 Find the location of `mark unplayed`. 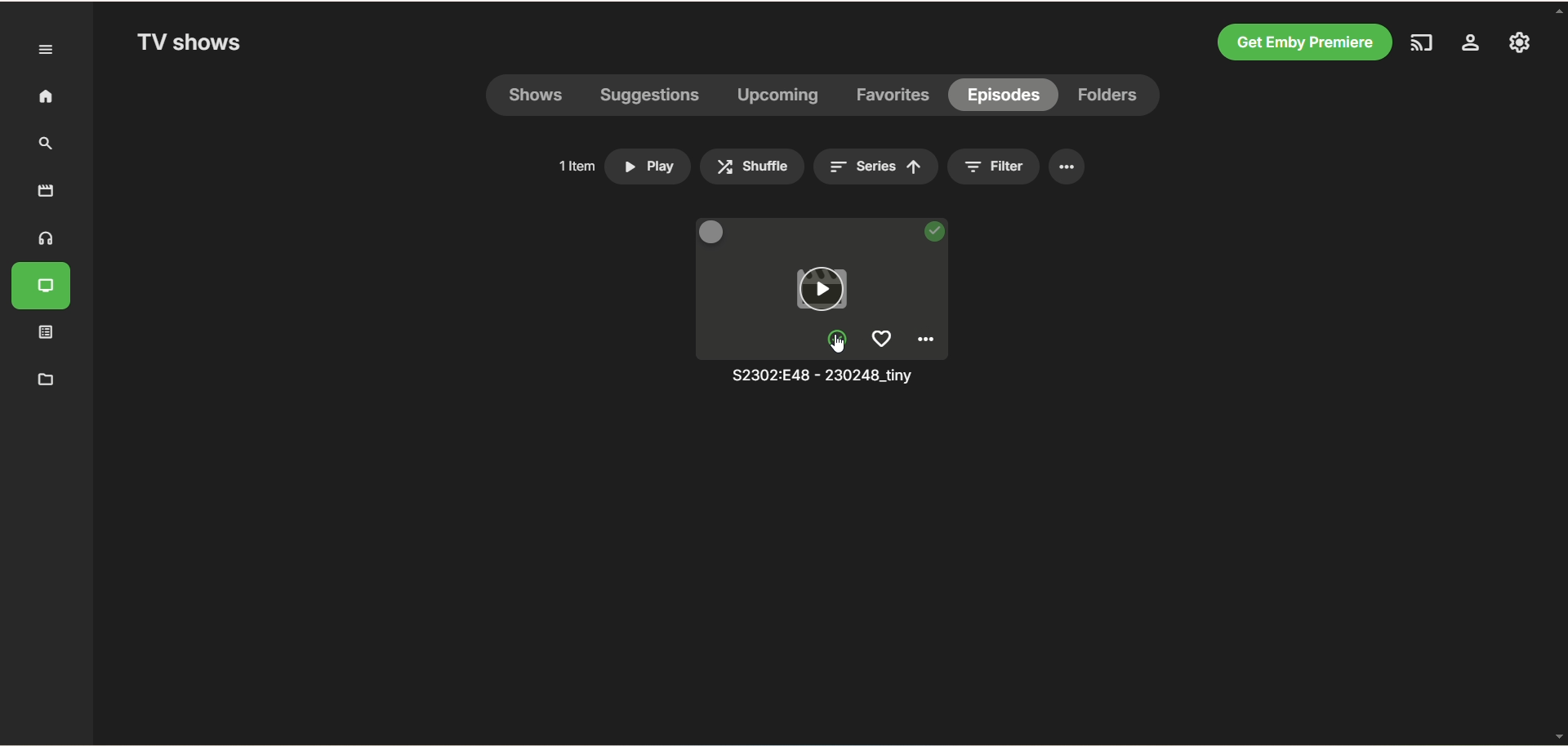

mark unplayed is located at coordinates (839, 344).